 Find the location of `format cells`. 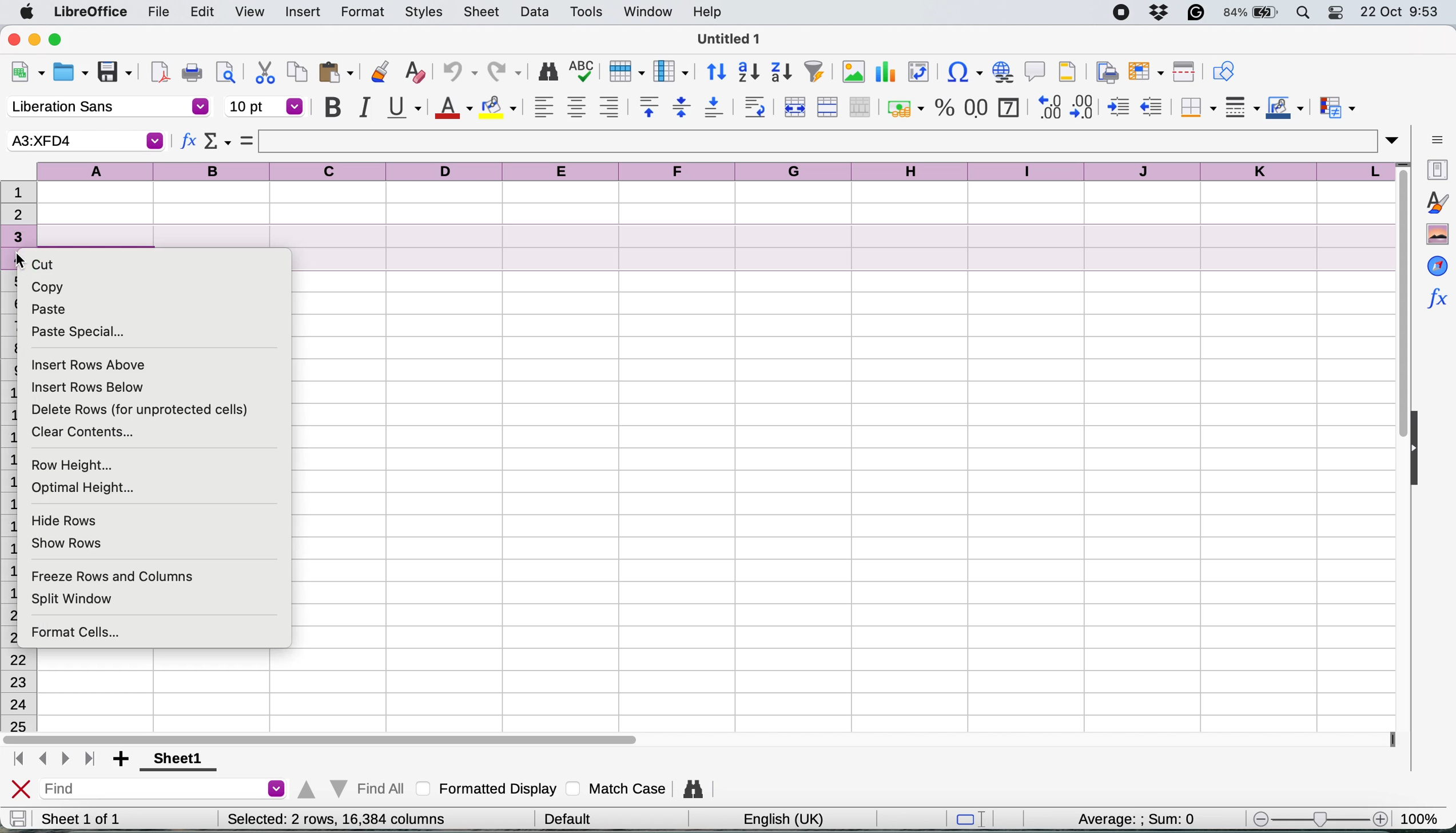

format cells is located at coordinates (84, 634).